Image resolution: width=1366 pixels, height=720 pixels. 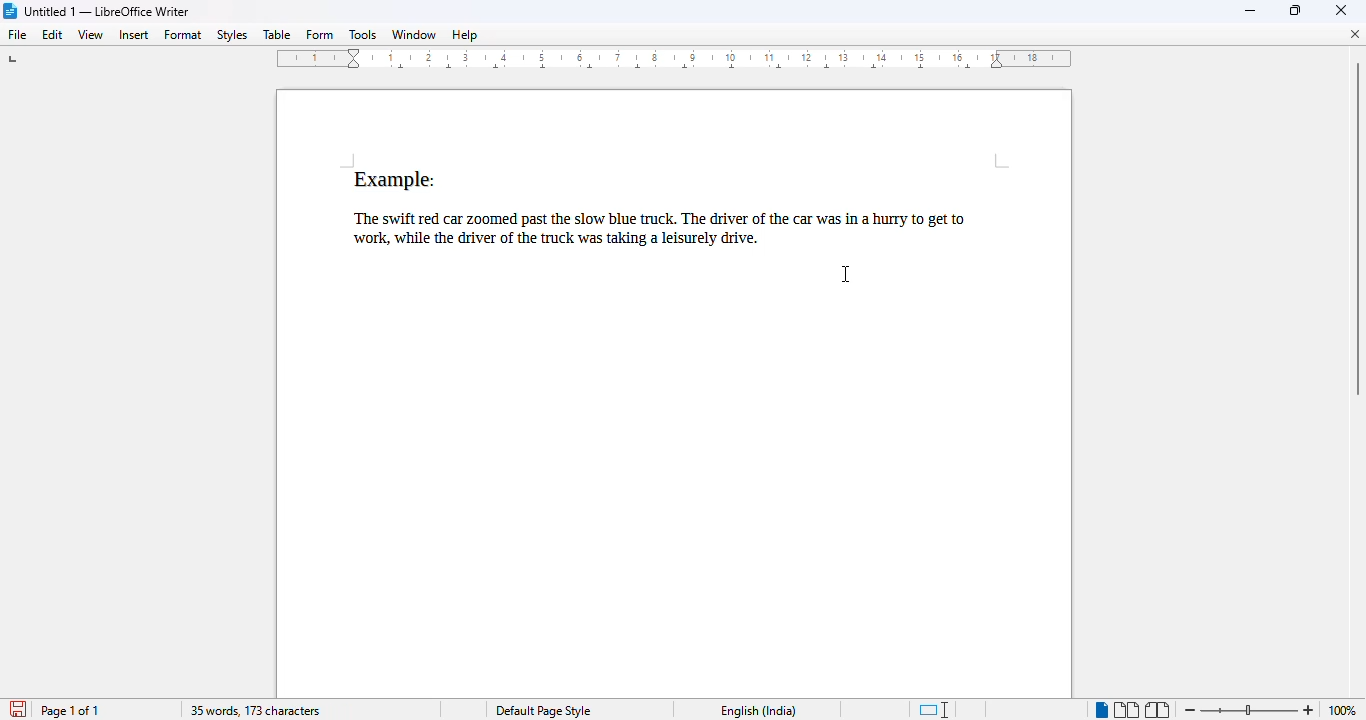 What do you see at coordinates (543, 711) in the screenshot?
I see `Default page style` at bounding box center [543, 711].